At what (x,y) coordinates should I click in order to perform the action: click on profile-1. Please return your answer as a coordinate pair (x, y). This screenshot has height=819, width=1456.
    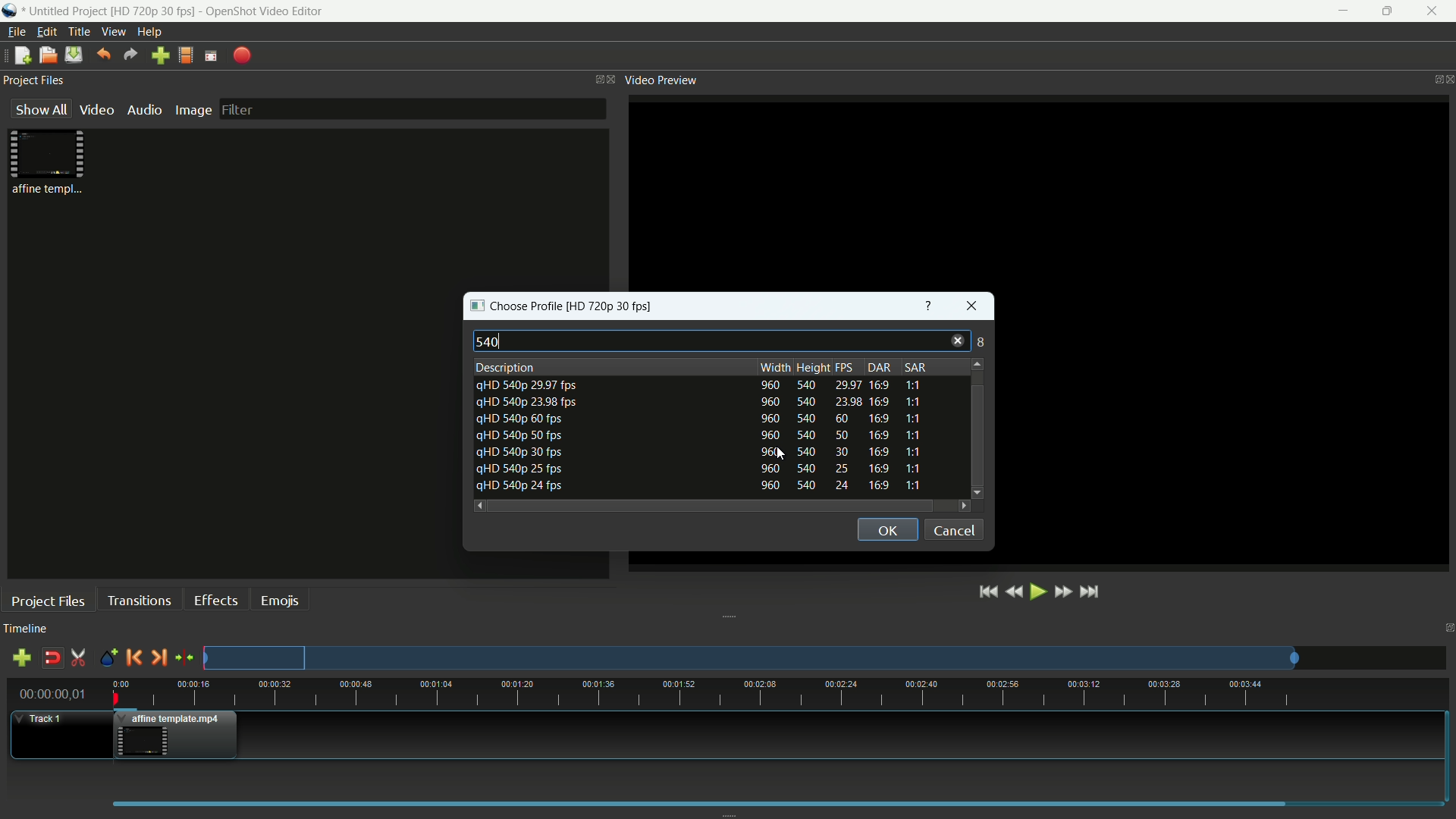
    Looking at the image, I should click on (704, 384).